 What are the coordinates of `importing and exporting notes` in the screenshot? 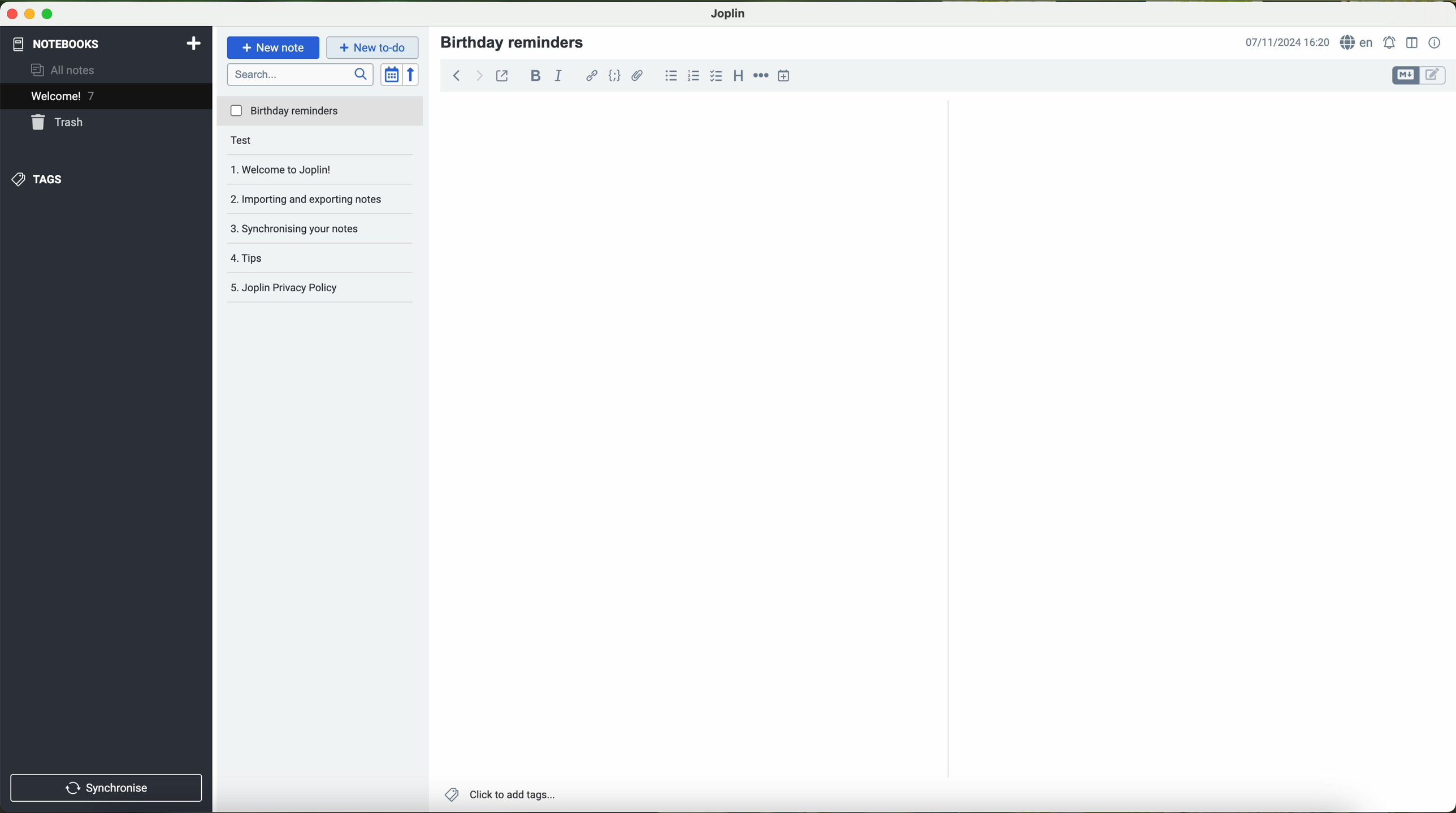 It's located at (312, 196).